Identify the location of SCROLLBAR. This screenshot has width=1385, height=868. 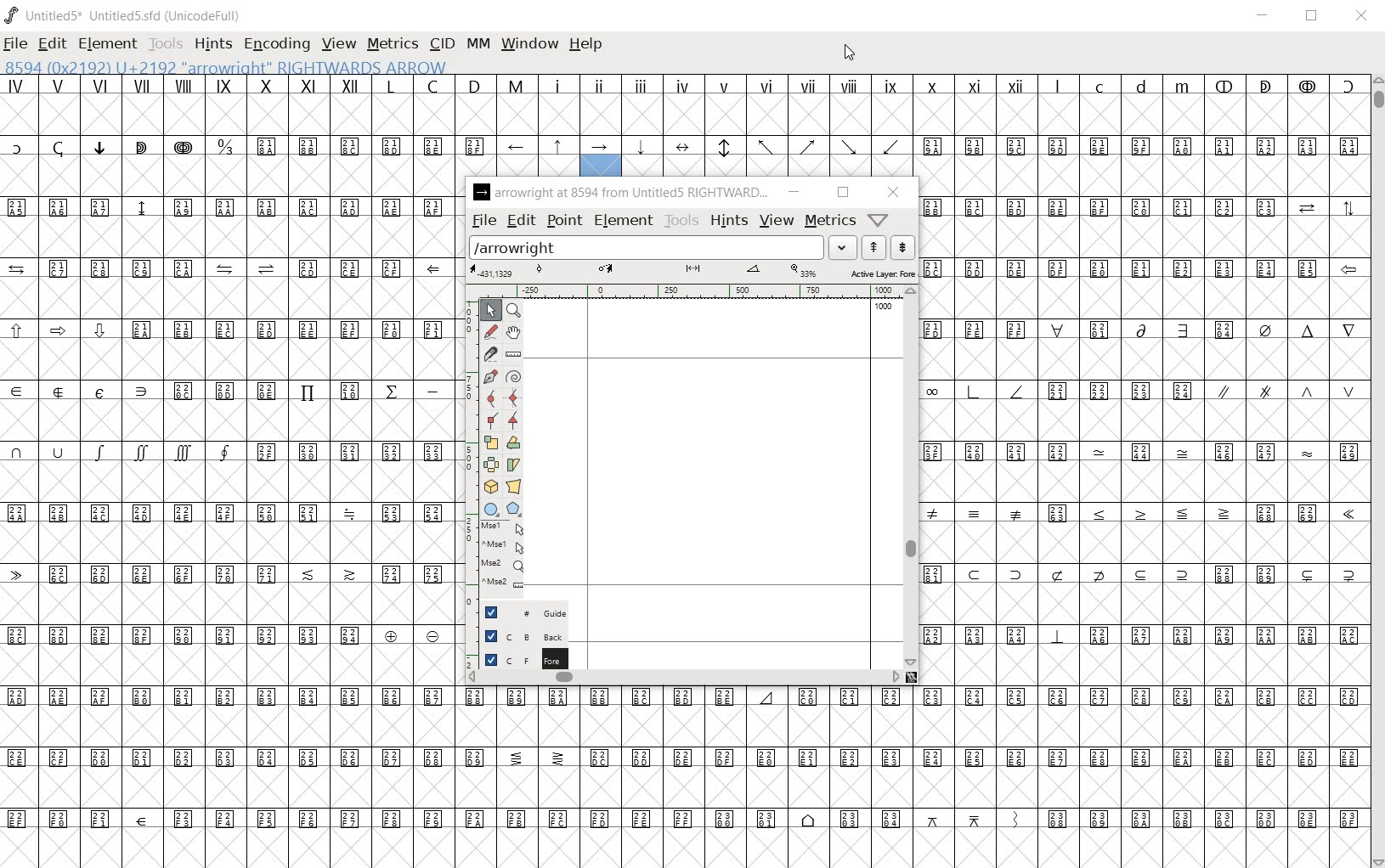
(1377, 470).